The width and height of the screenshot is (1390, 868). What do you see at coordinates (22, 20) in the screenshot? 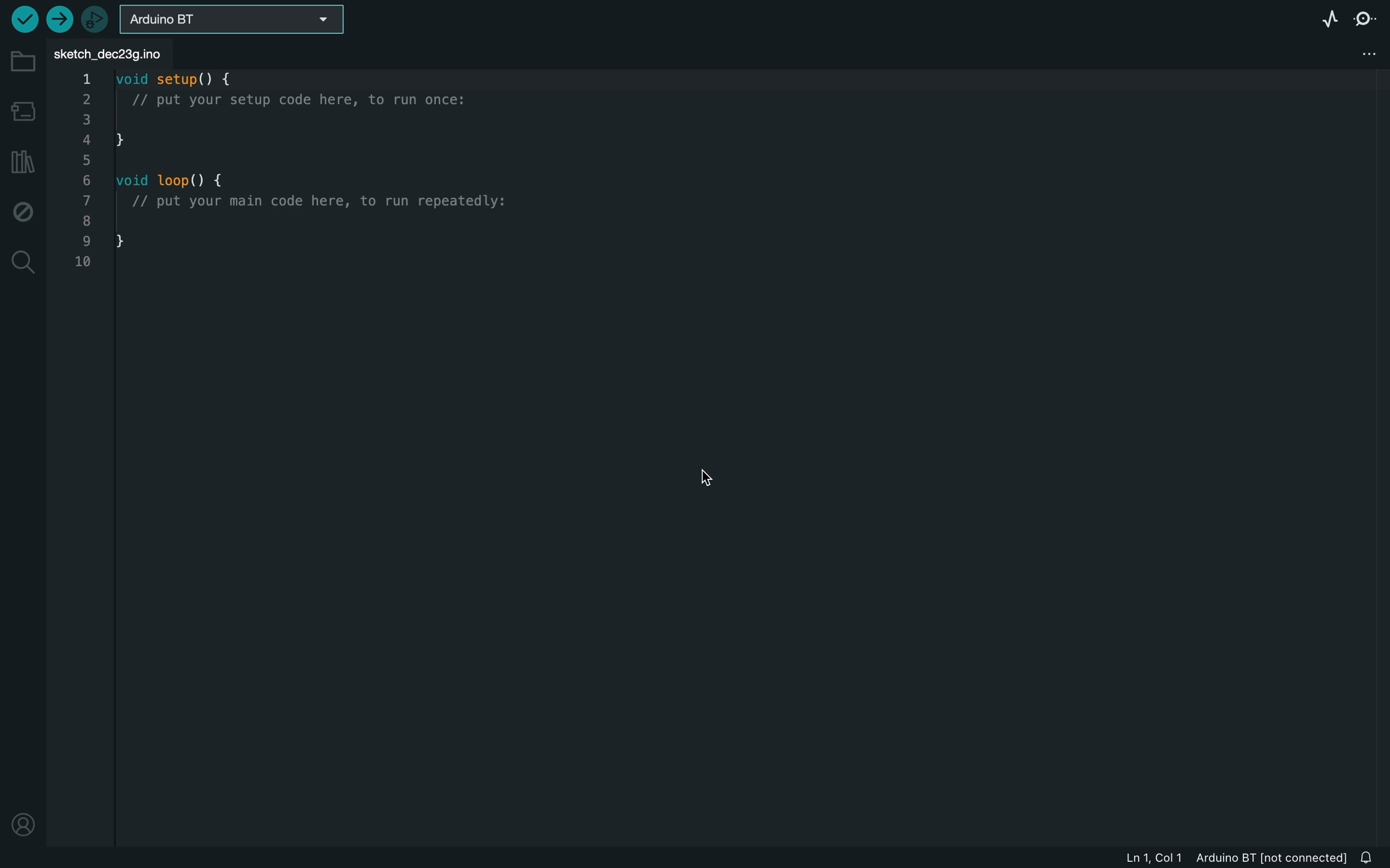
I see `verify` at bounding box center [22, 20].